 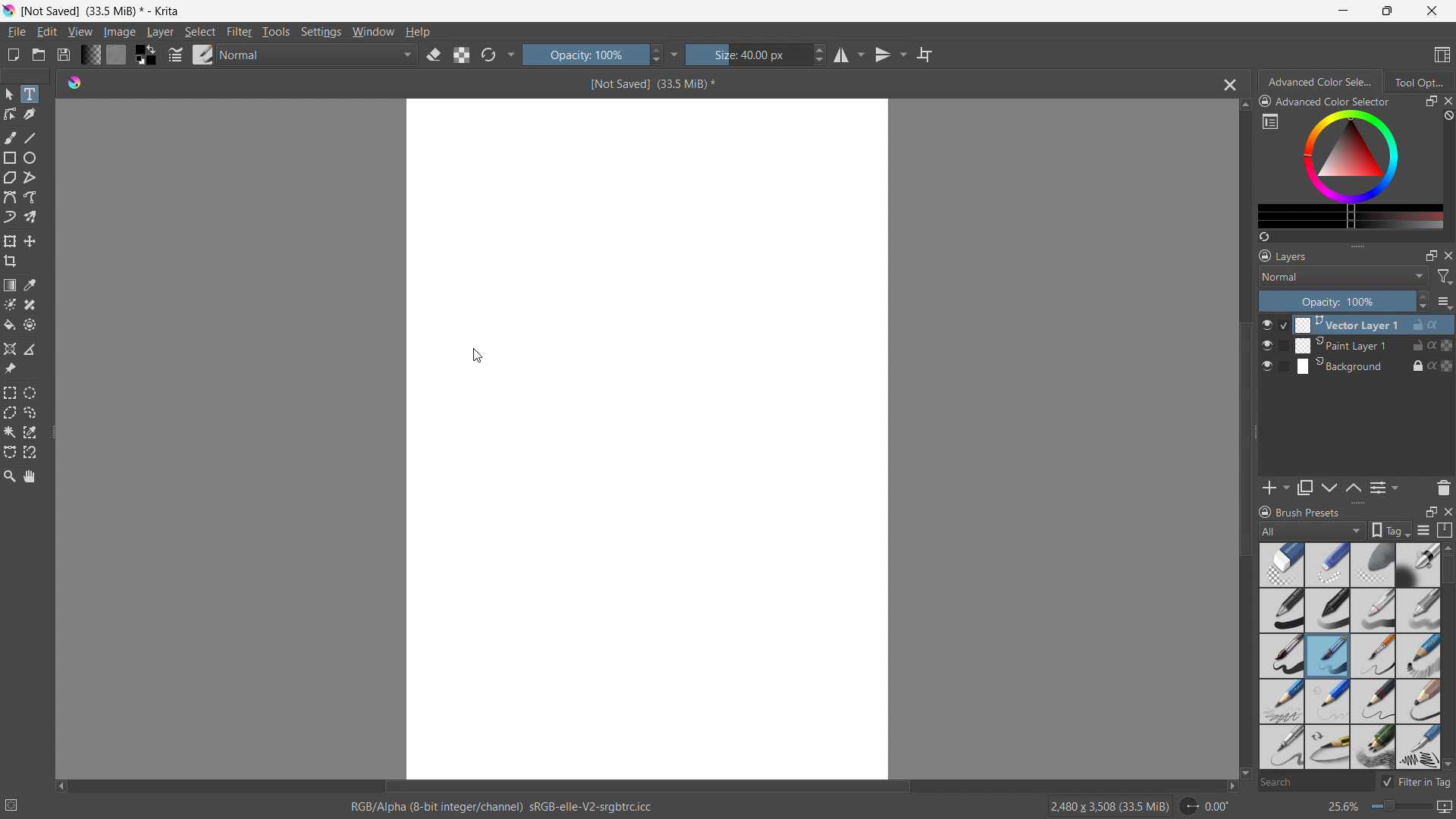 What do you see at coordinates (8, 94) in the screenshot?
I see `select shapes tool` at bounding box center [8, 94].